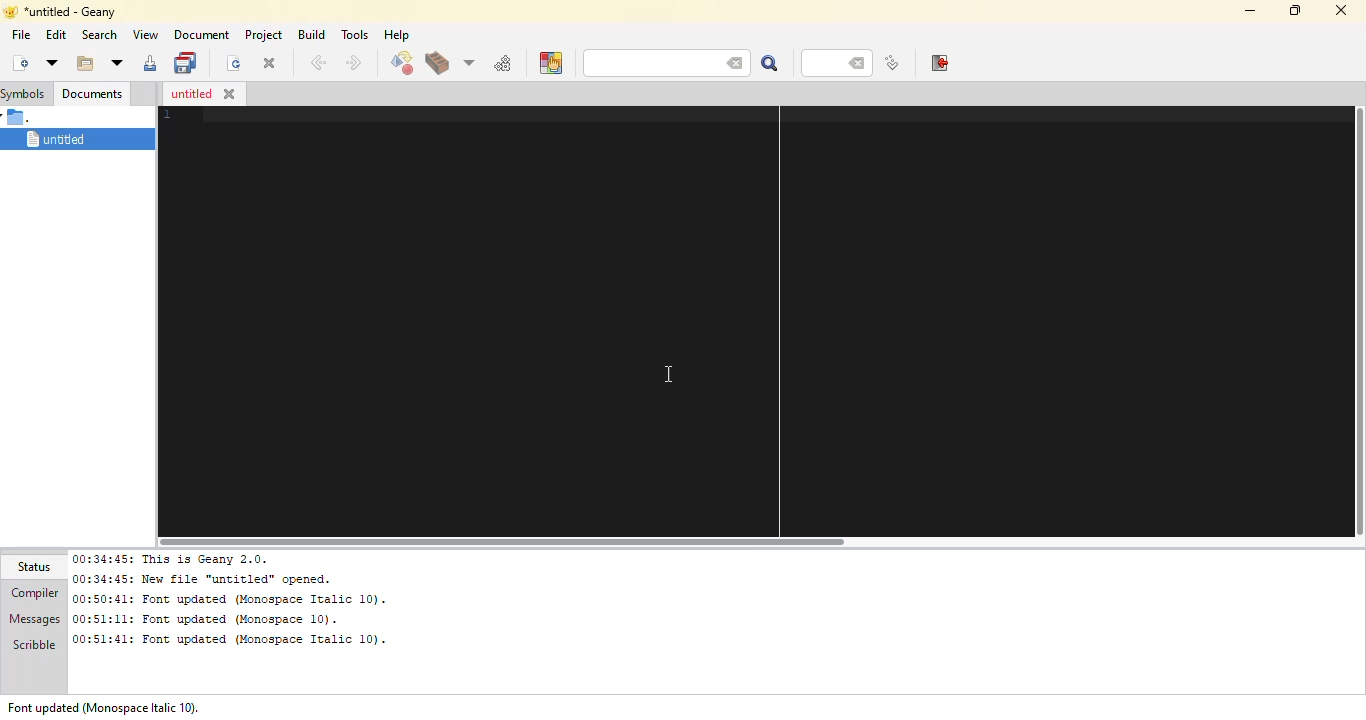 Image resolution: width=1366 pixels, height=720 pixels. Describe the element at coordinates (1340, 12) in the screenshot. I see `close` at that location.